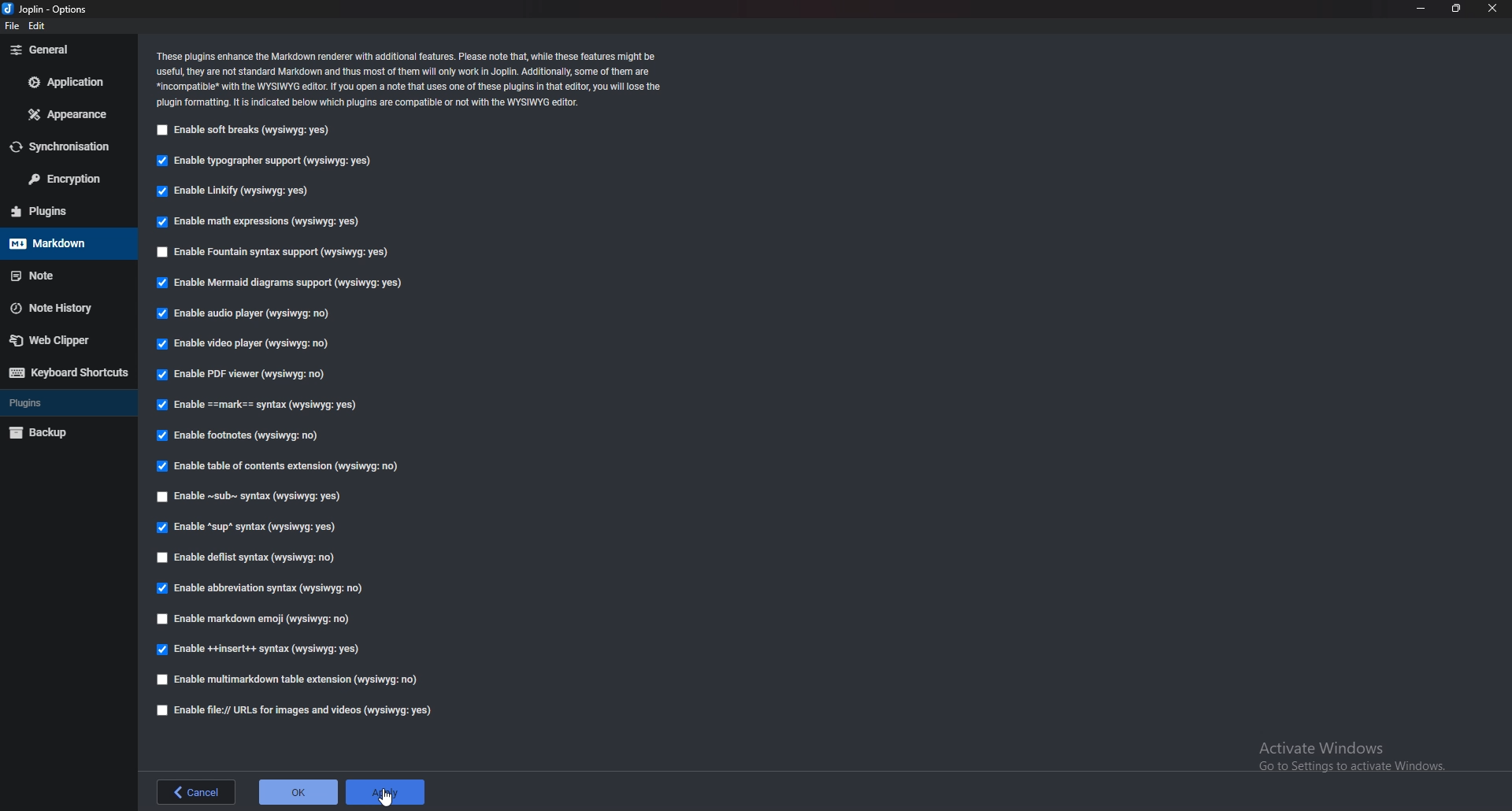 This screenshot has height=811, width=1512. I want to click on back, so click(196, 791).